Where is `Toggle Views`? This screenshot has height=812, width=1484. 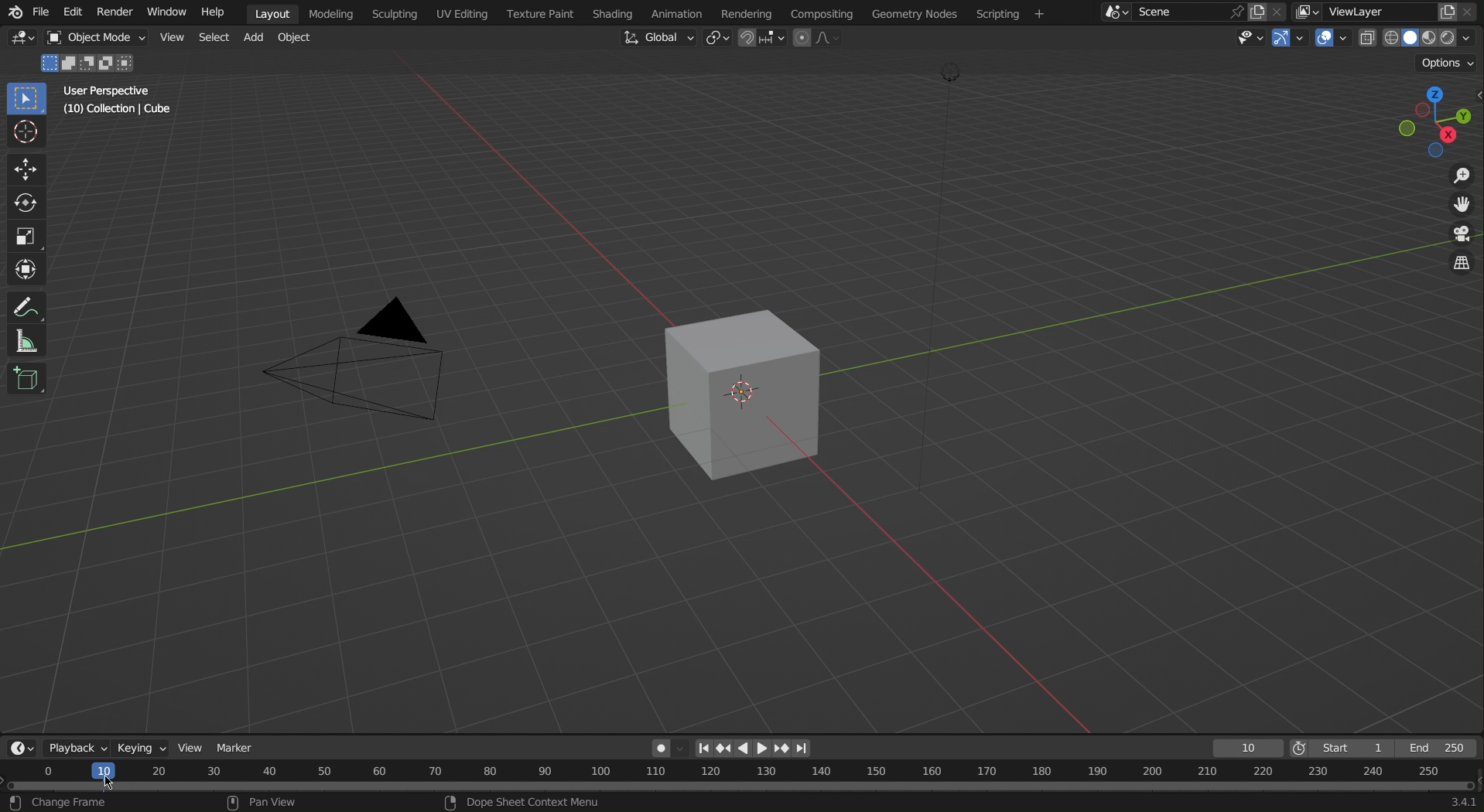 Toggle Views is located at coordinates (1461, 262).